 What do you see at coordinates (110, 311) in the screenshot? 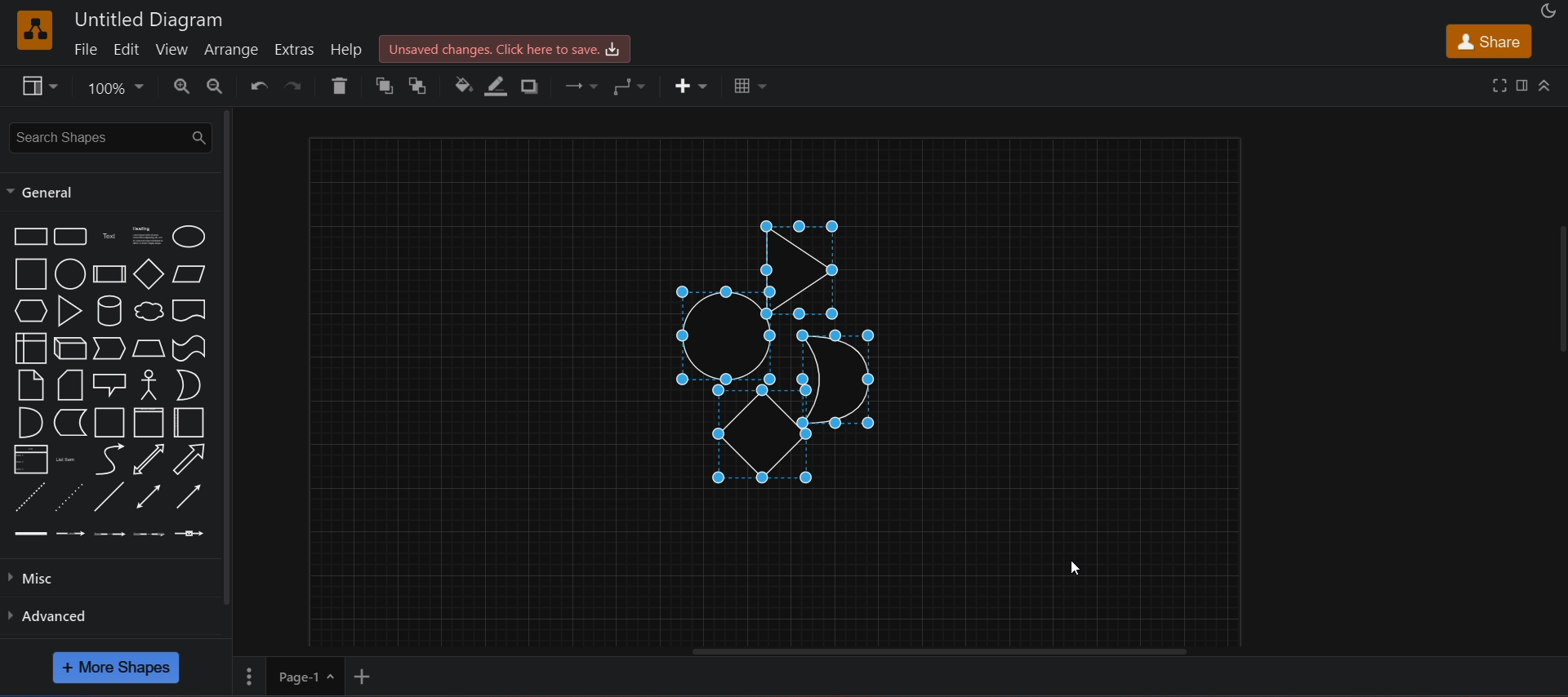
I see `cylinder` at bounding box center [110, 311].